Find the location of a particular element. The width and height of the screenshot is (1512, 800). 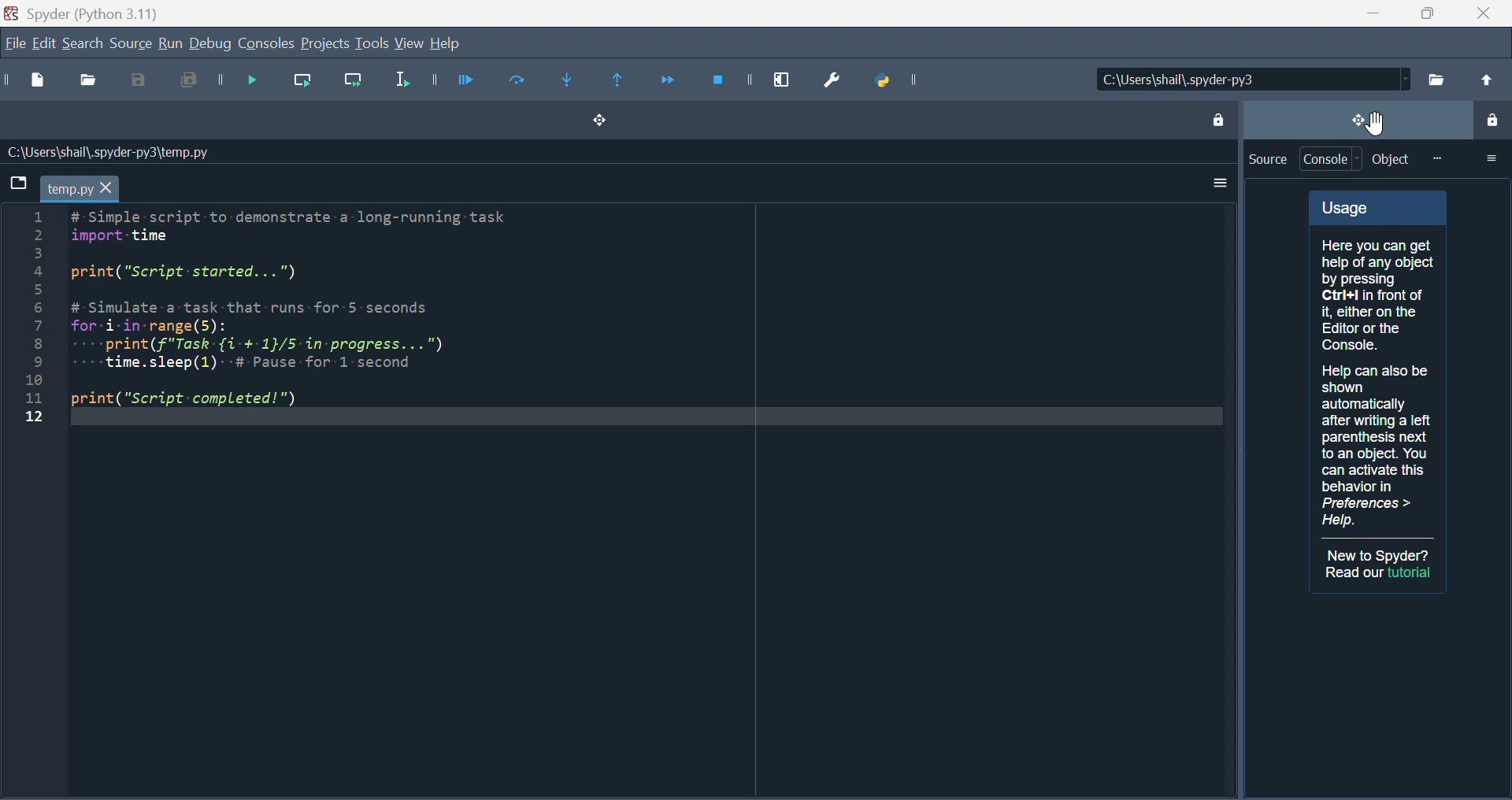

help is located at coordinates (445, 43).